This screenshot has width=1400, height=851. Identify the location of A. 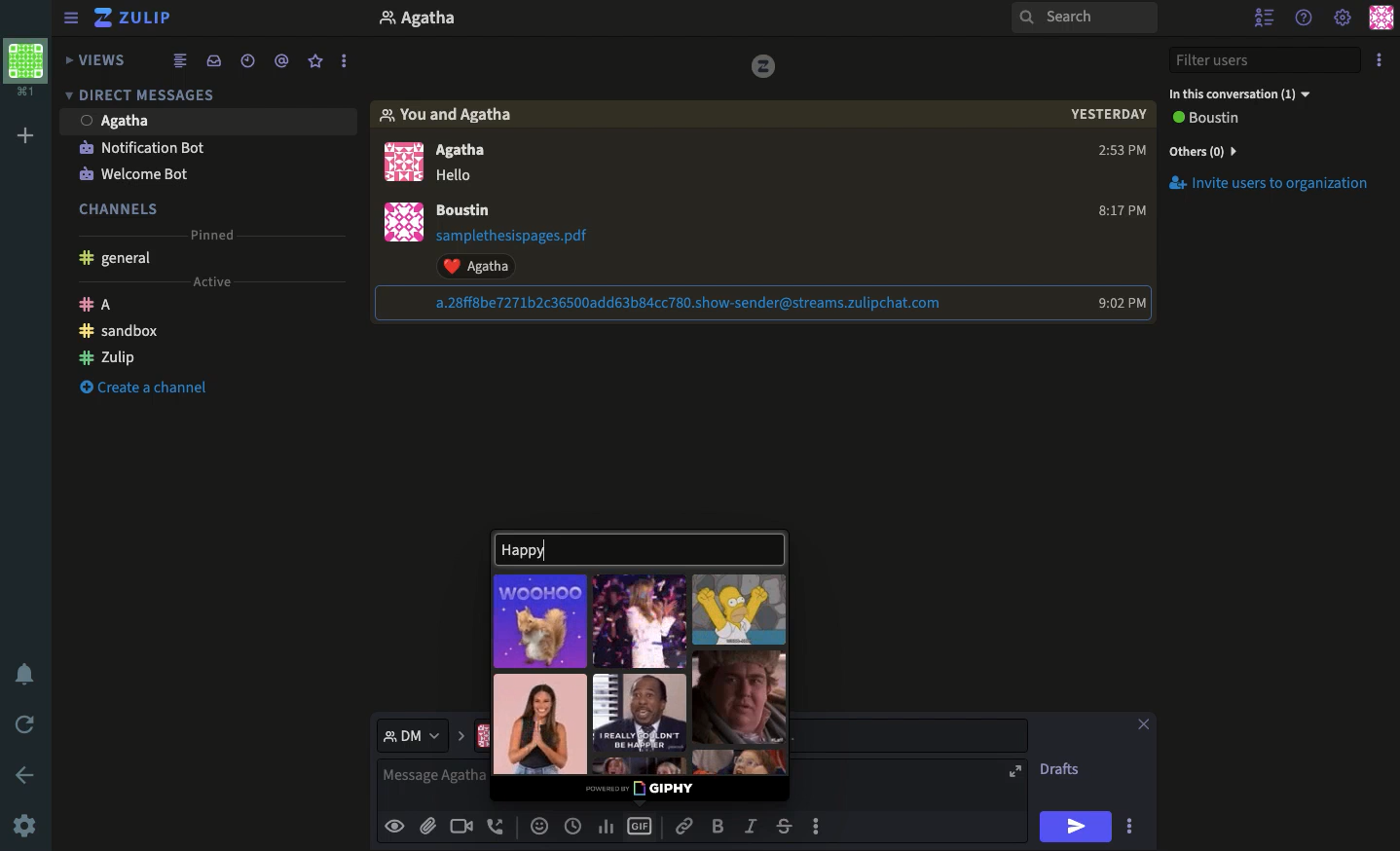
(99, 304).